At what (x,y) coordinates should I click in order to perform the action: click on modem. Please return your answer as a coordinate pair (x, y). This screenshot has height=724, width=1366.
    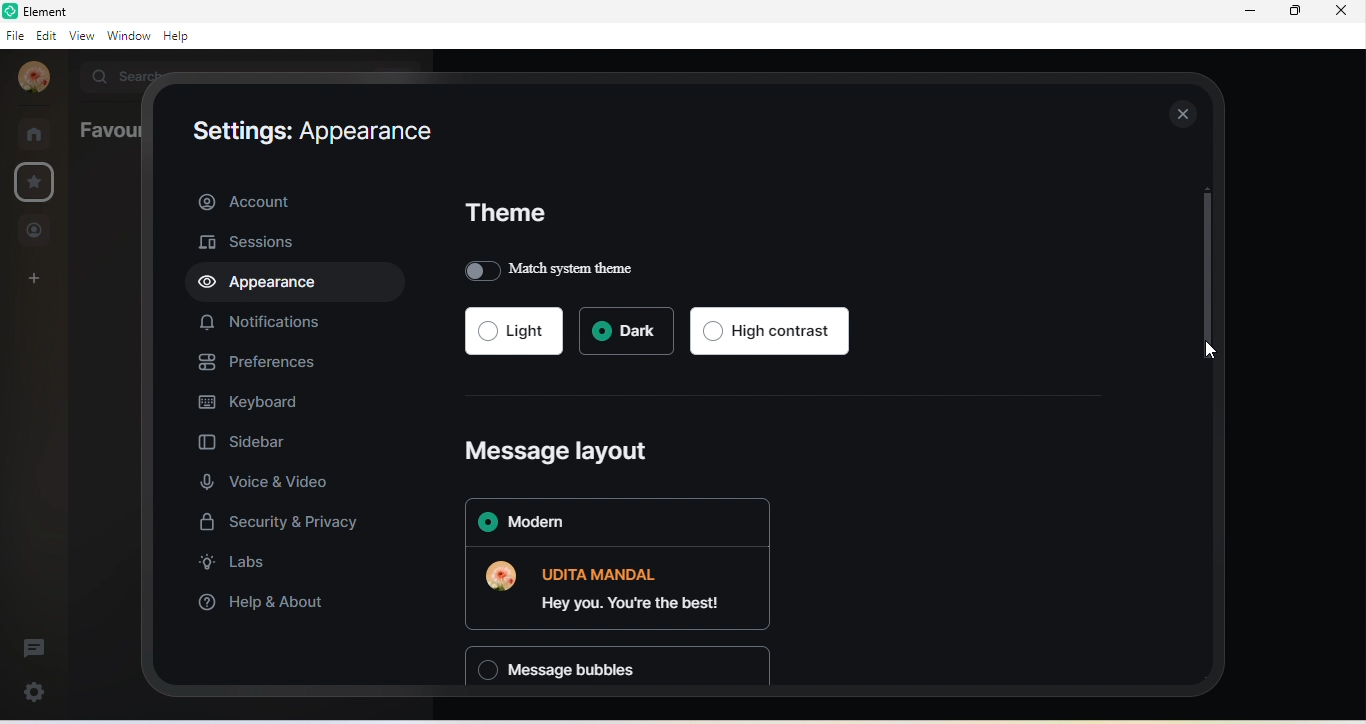
    Looking at the image, I should click on (613, 523).